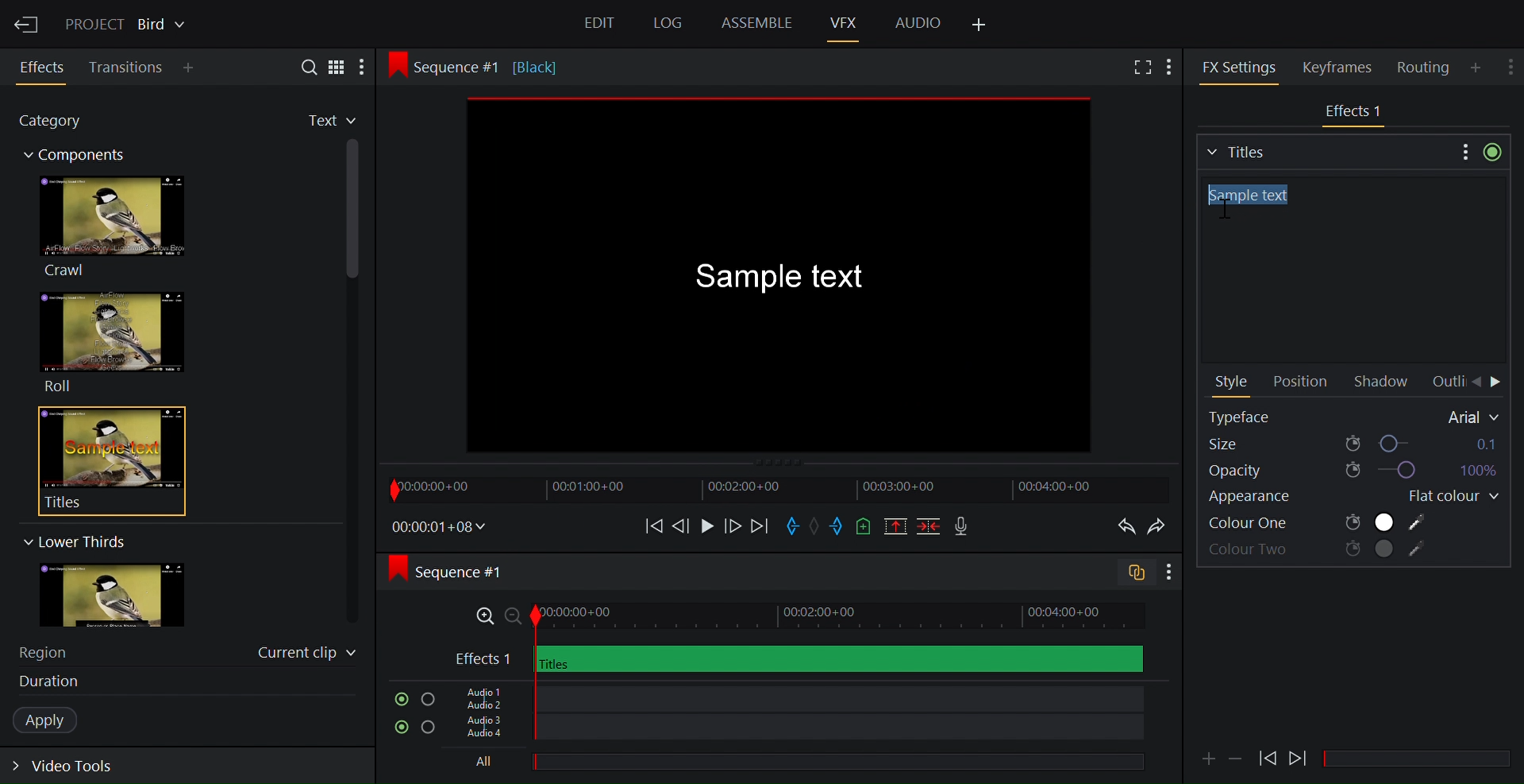  Describe the element at coordinates (73, 541) in the screenshot. I see `Lower Thirs` at that location.